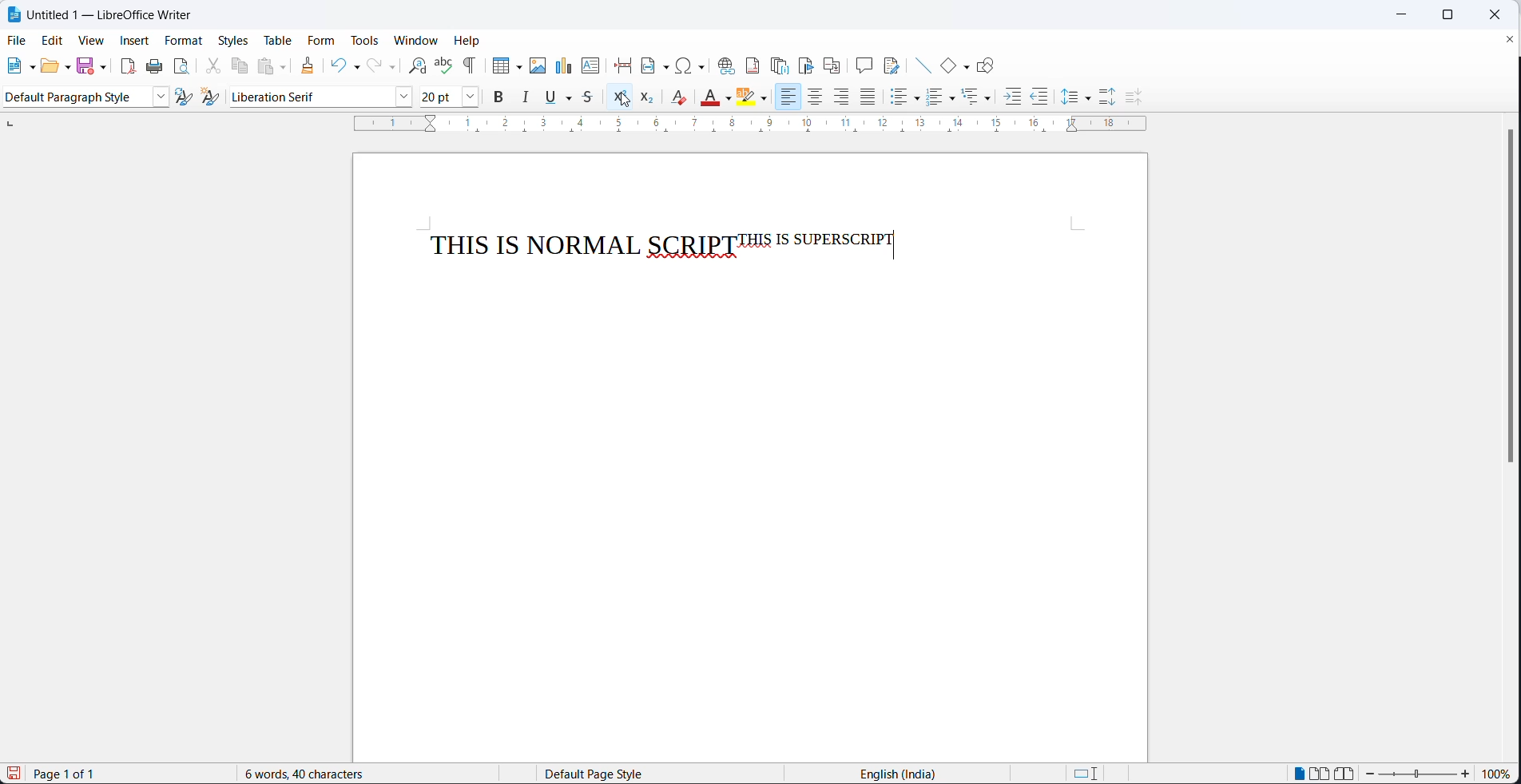  Describe the element at coordinates (133, 42) in the screenshot. I see `insert ` at that location.